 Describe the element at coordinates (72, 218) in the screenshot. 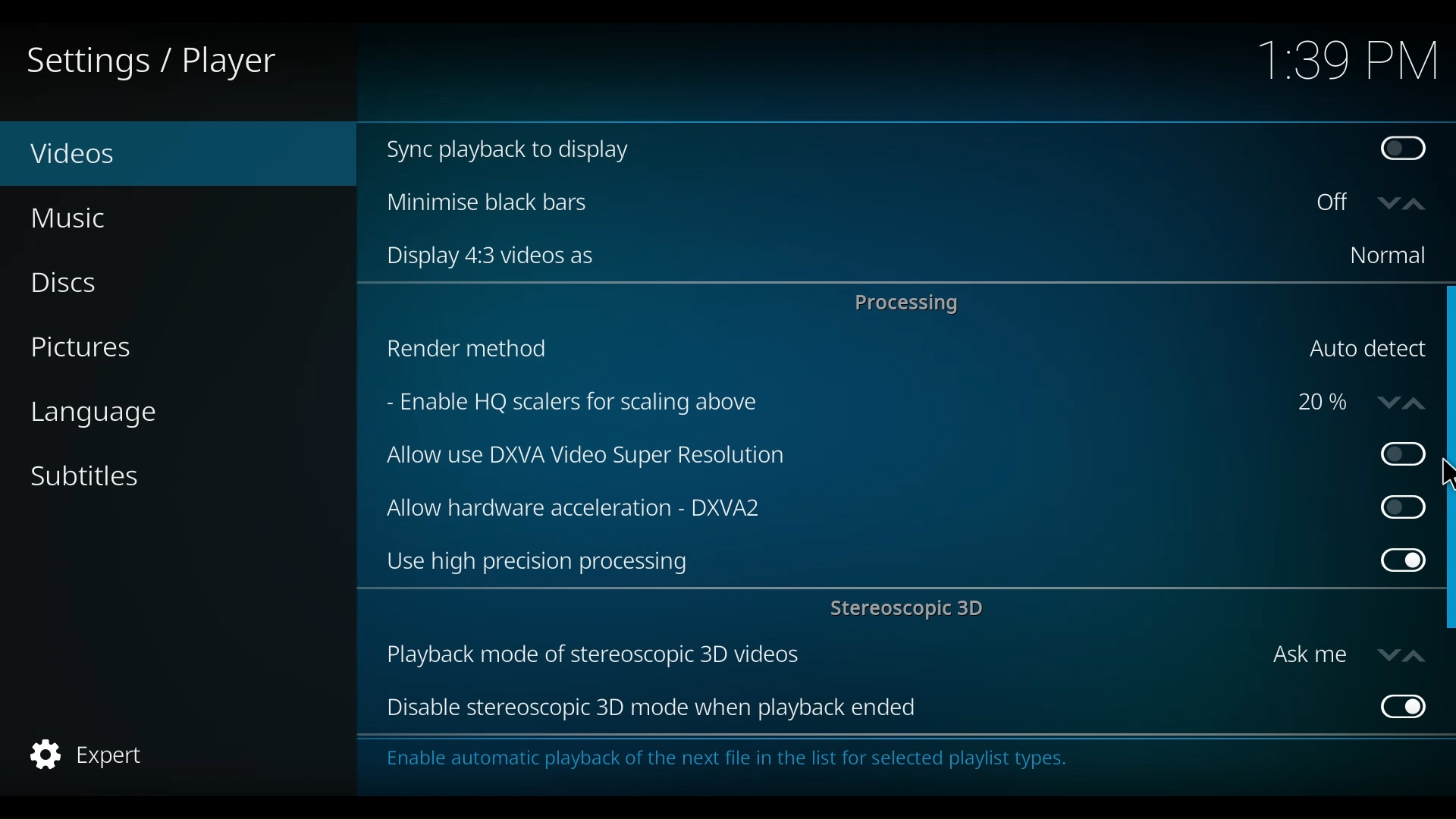

I see `Music` at that location.